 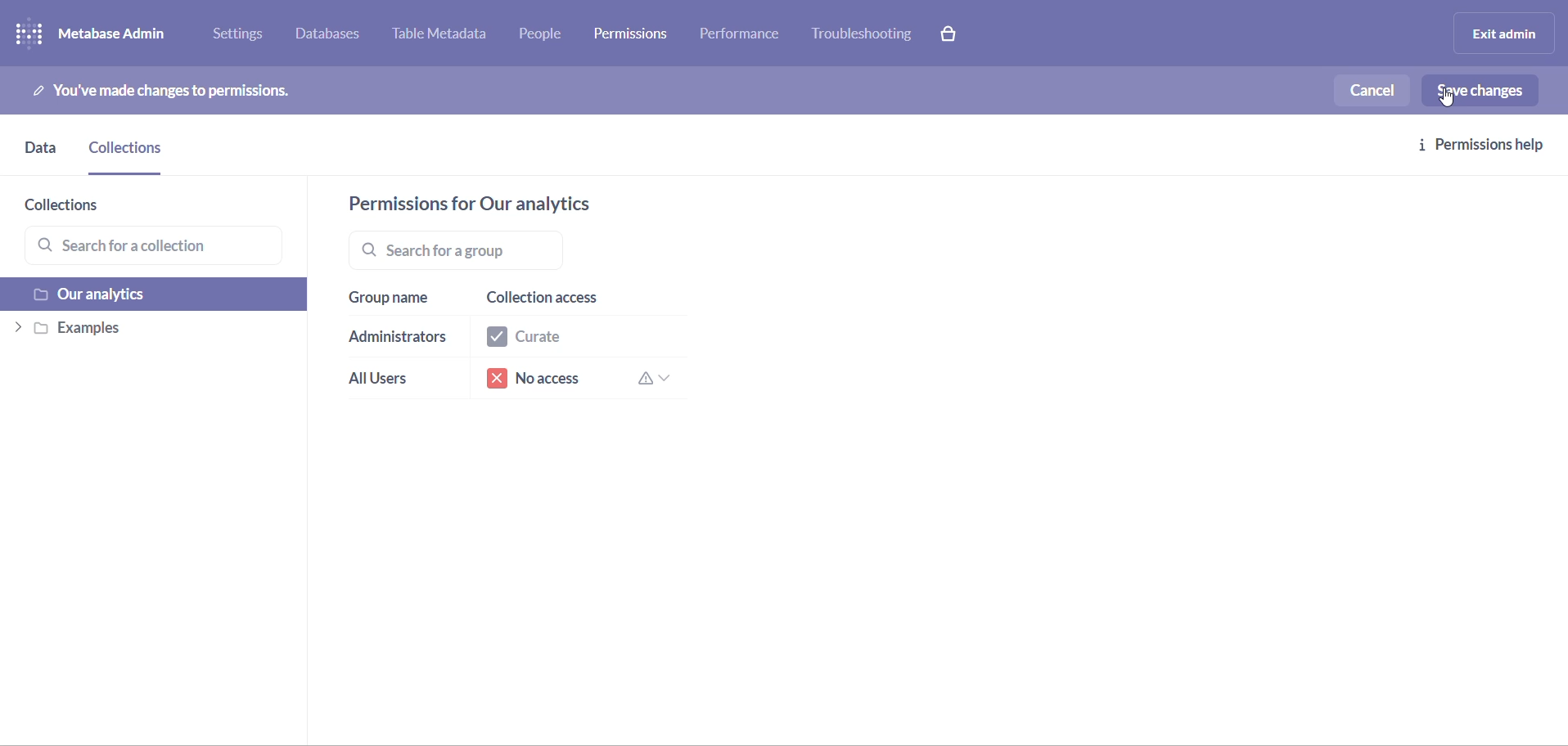 I want to click on exit admin, so click(x=1501, y=33).